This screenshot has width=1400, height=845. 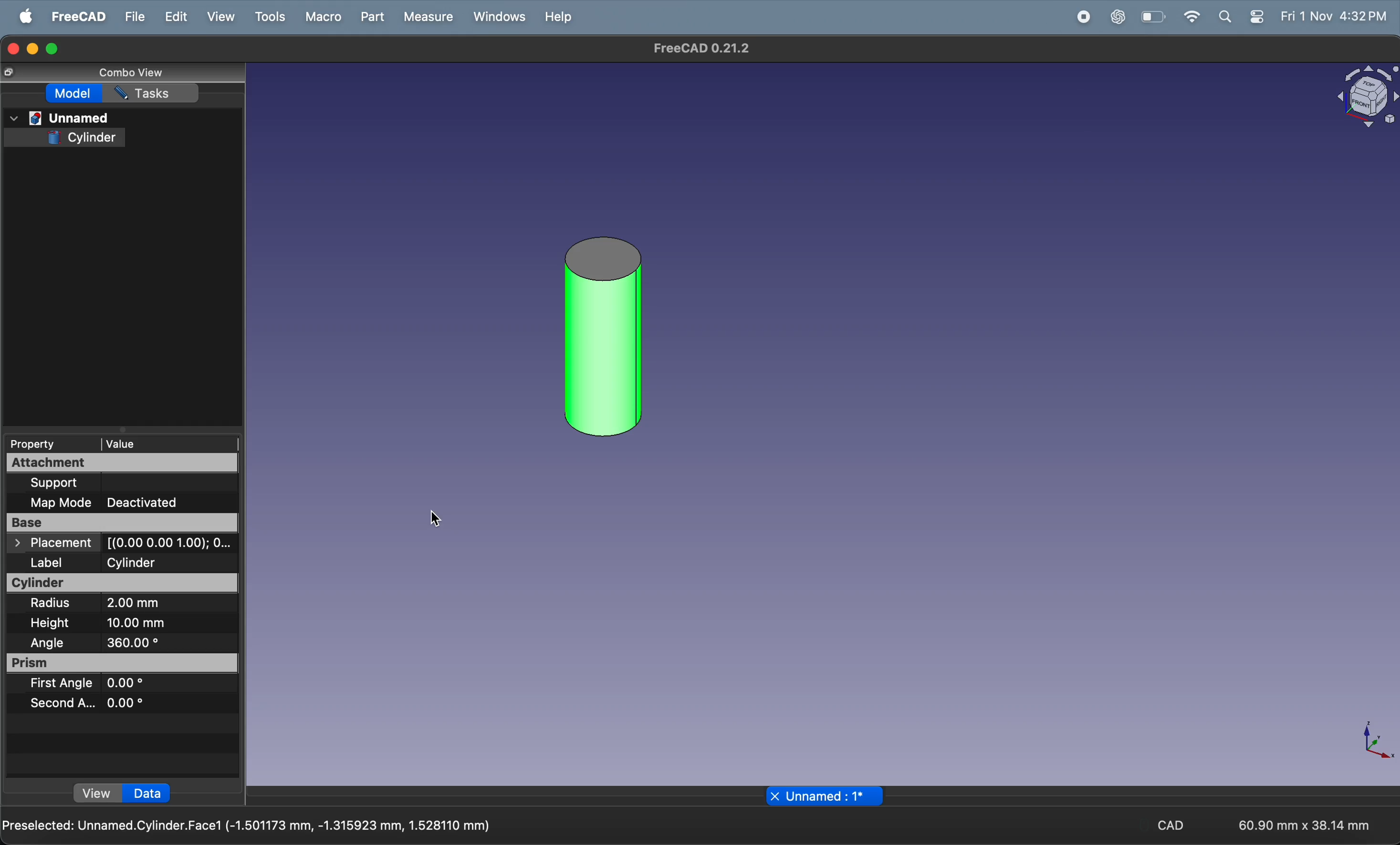 What do you see at coordinates (427, 16) in the screenshot?
I see `measure` at bounding box center [427, 16].